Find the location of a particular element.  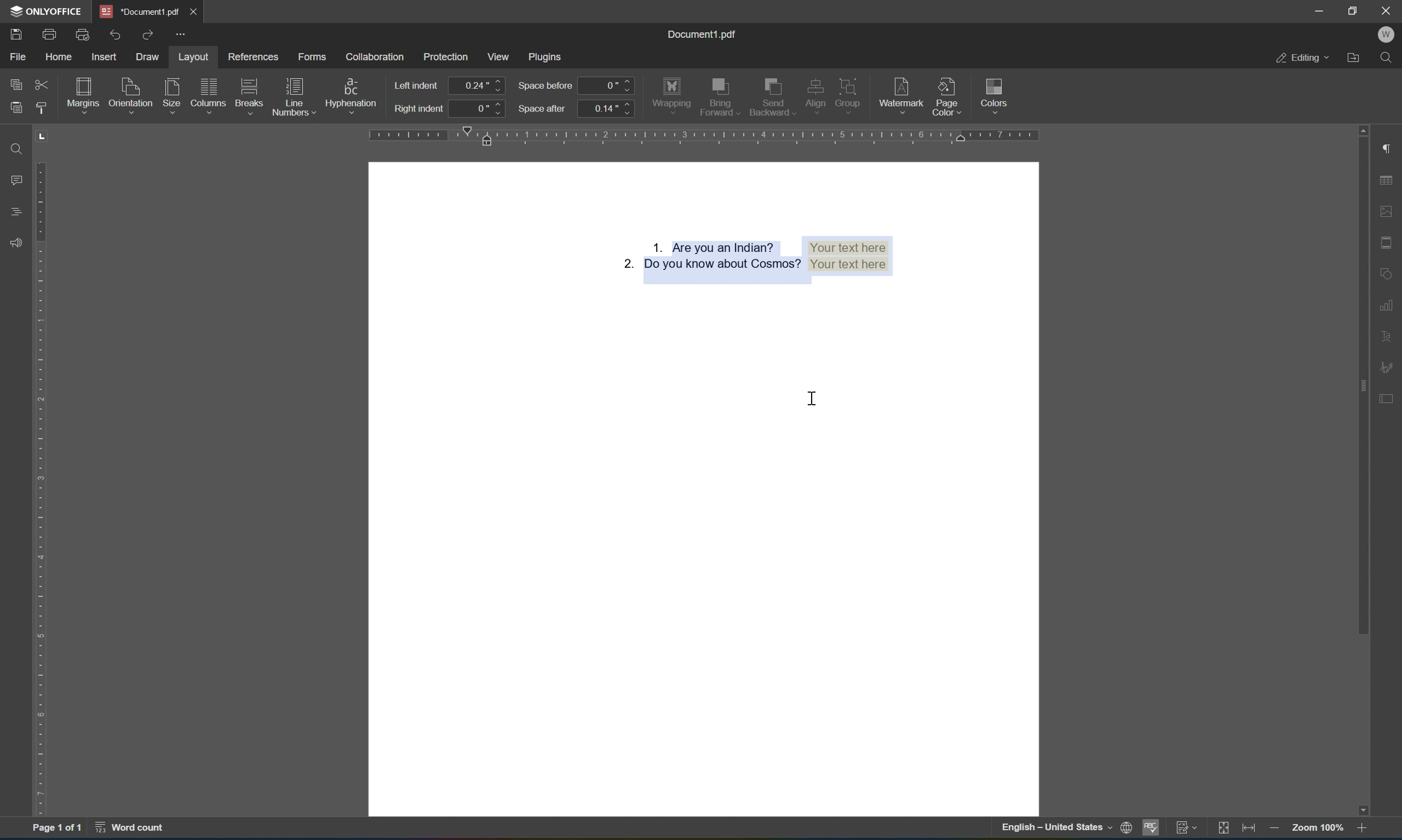

space before is located at coordinates (546, 87).